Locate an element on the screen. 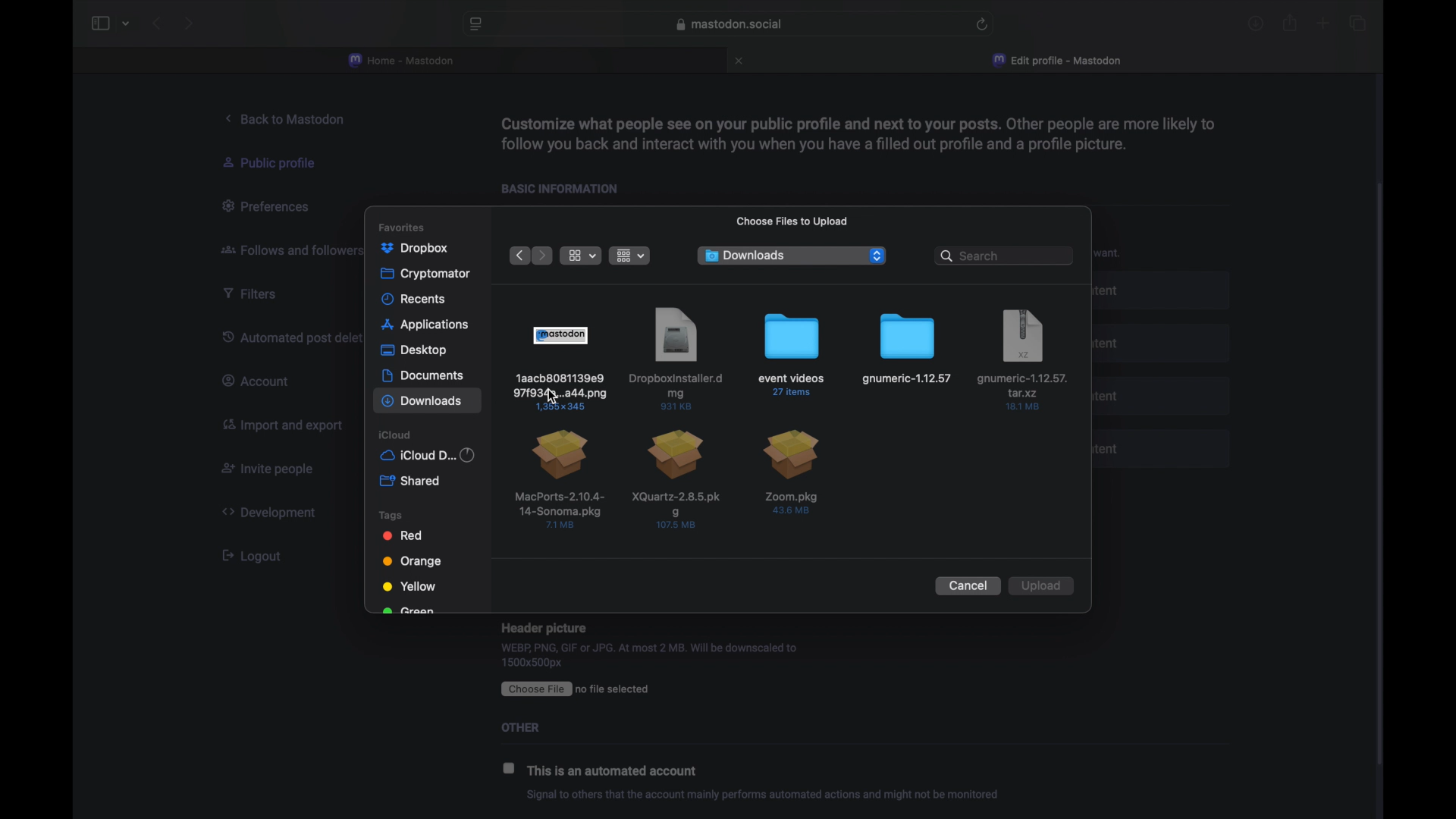 This screenshot has height=819, width=1456. basic information is located at coordinates (566, 189).